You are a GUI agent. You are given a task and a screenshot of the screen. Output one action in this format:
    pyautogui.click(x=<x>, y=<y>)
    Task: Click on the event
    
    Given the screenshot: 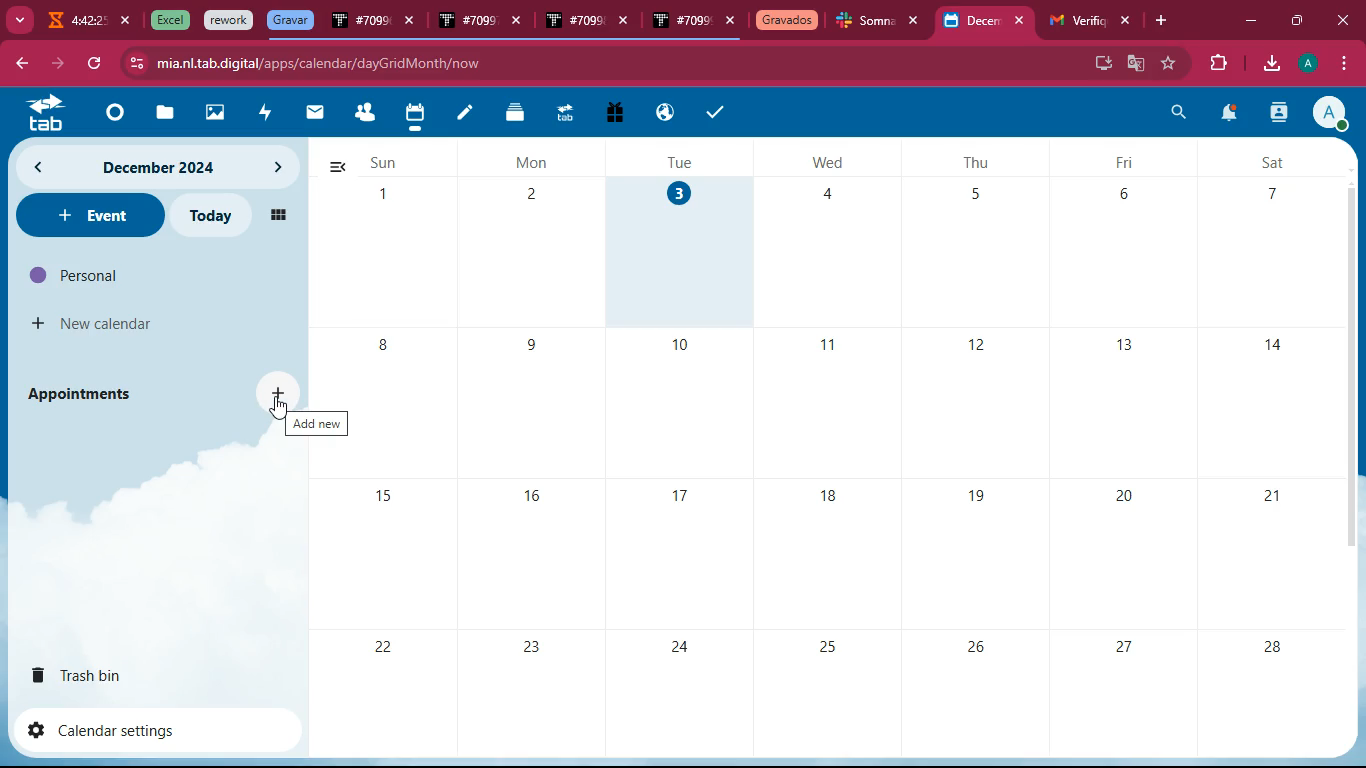 What is the action you would take?
    pyautogui.click(x=88, y=215)
    